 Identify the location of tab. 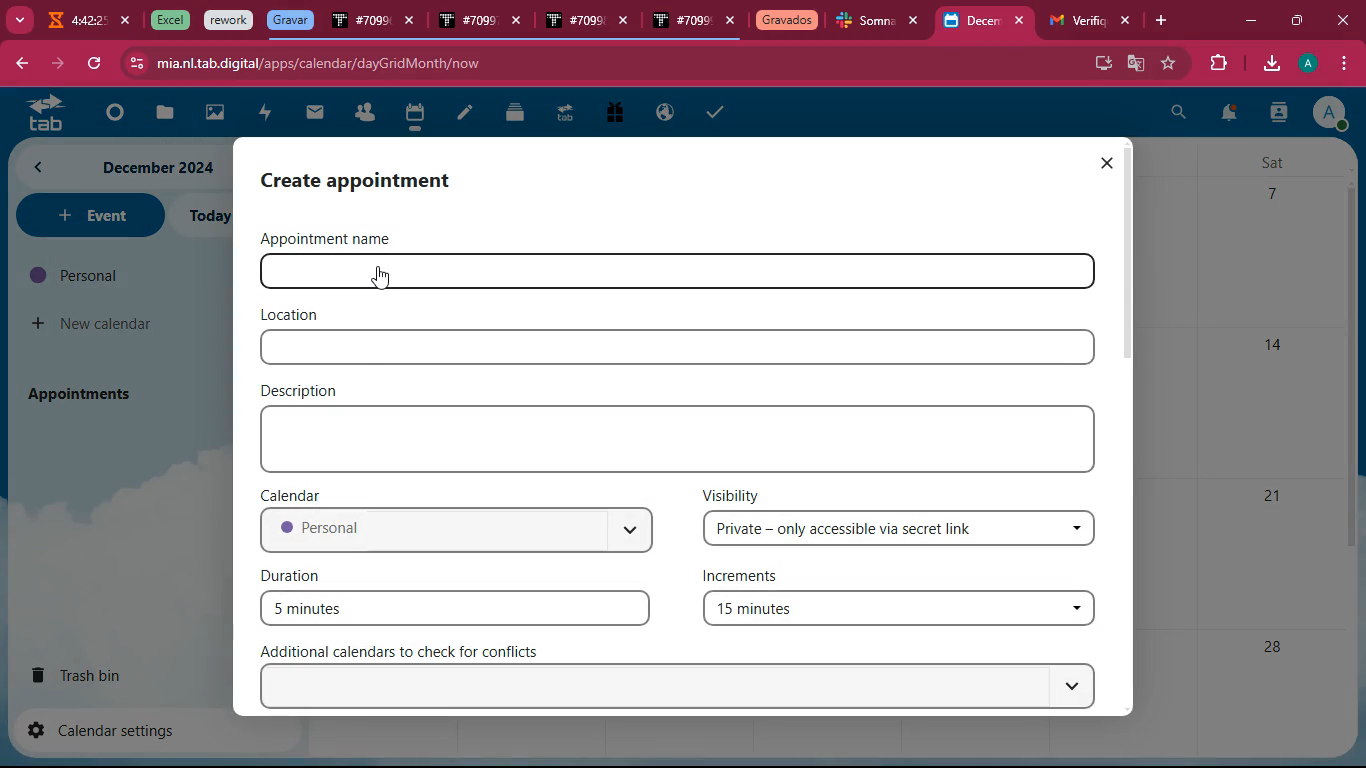
(681, 23).